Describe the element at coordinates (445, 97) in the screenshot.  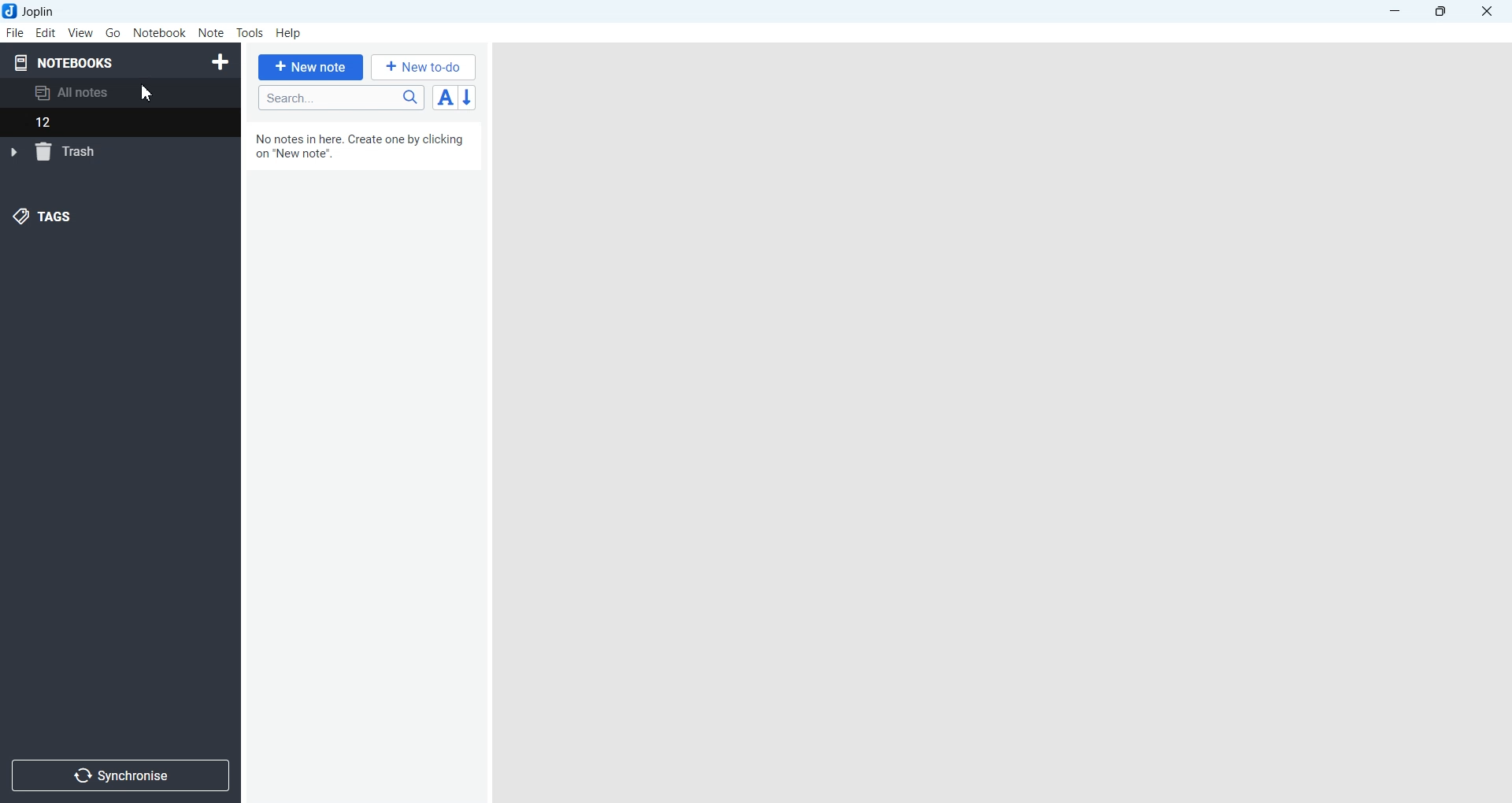
I see `Toggle sort order field` at that location.